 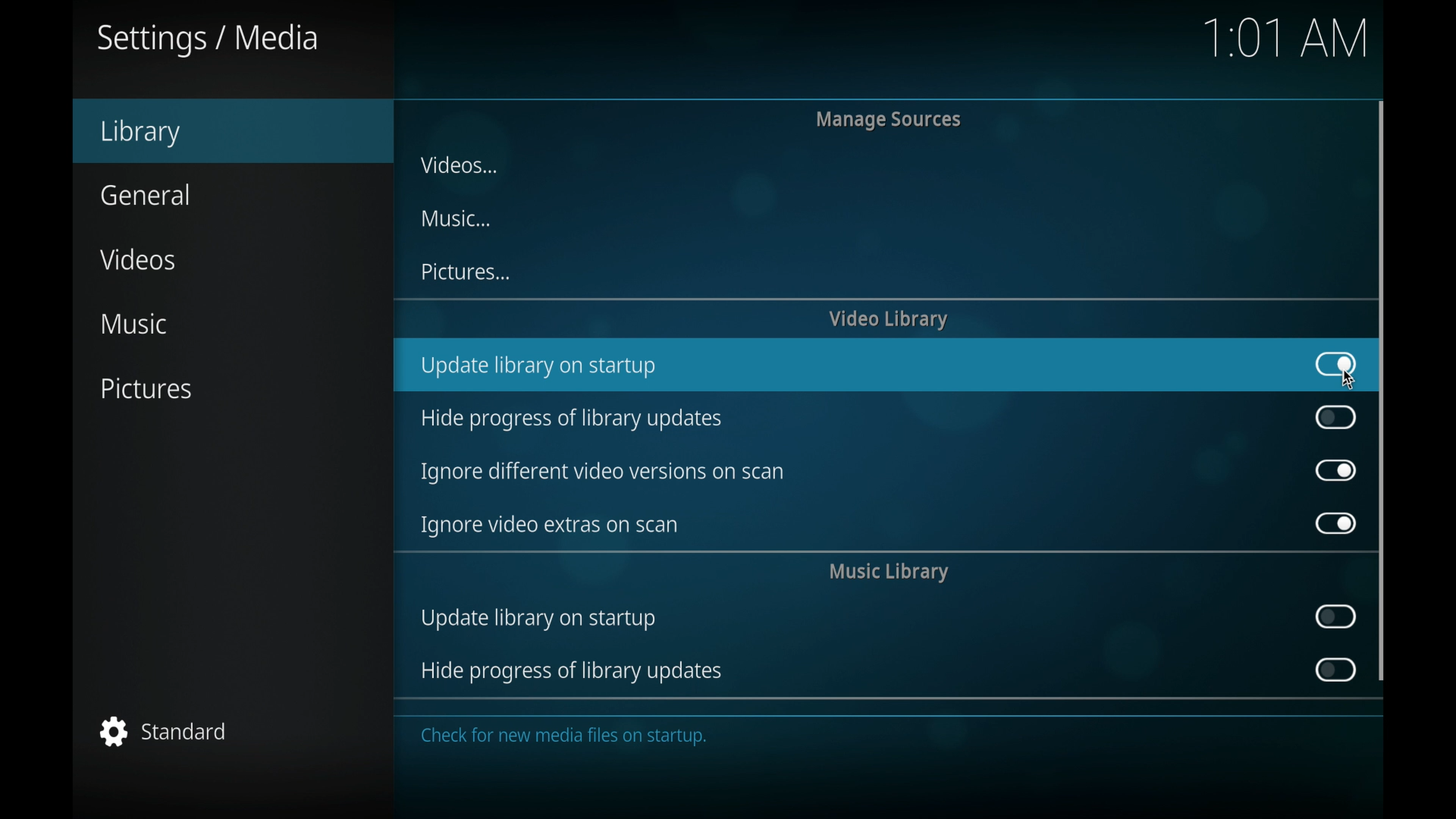 I want to click on hide progress of library updates, so click(x=570, y=673).